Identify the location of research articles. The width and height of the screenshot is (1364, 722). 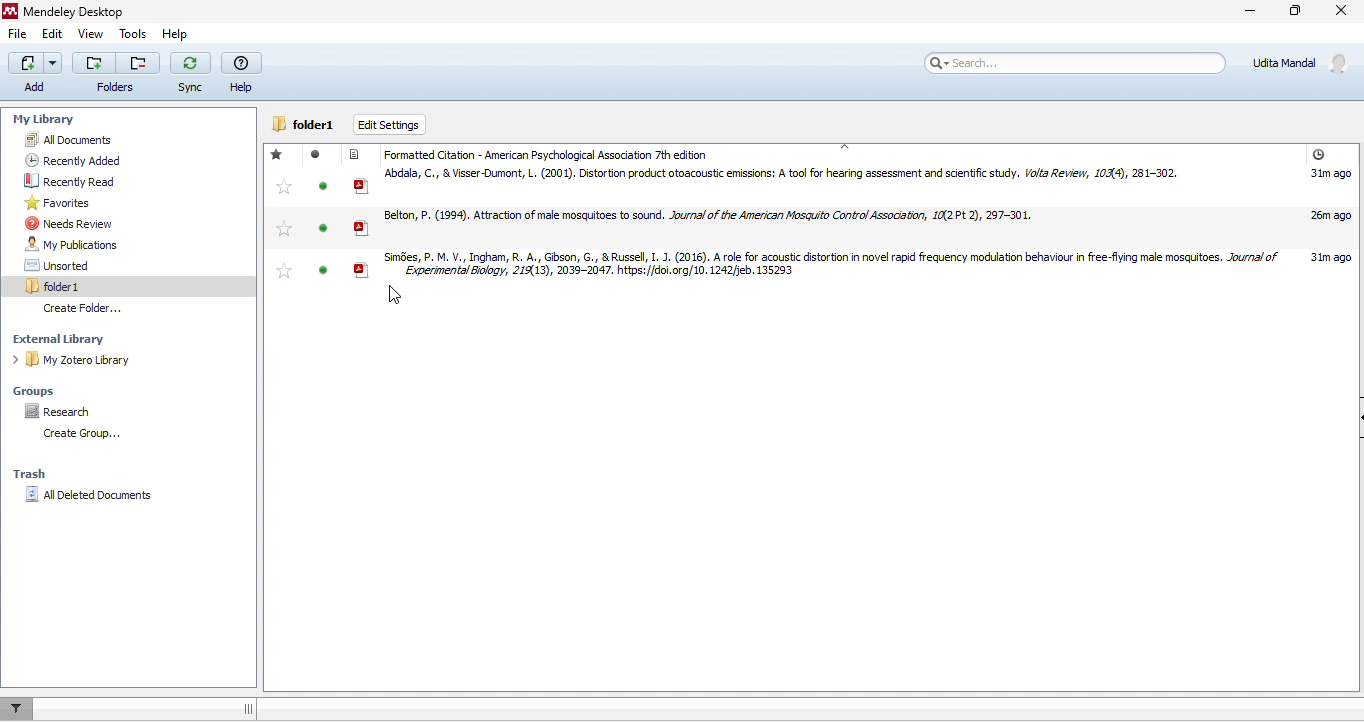
(851, 267).